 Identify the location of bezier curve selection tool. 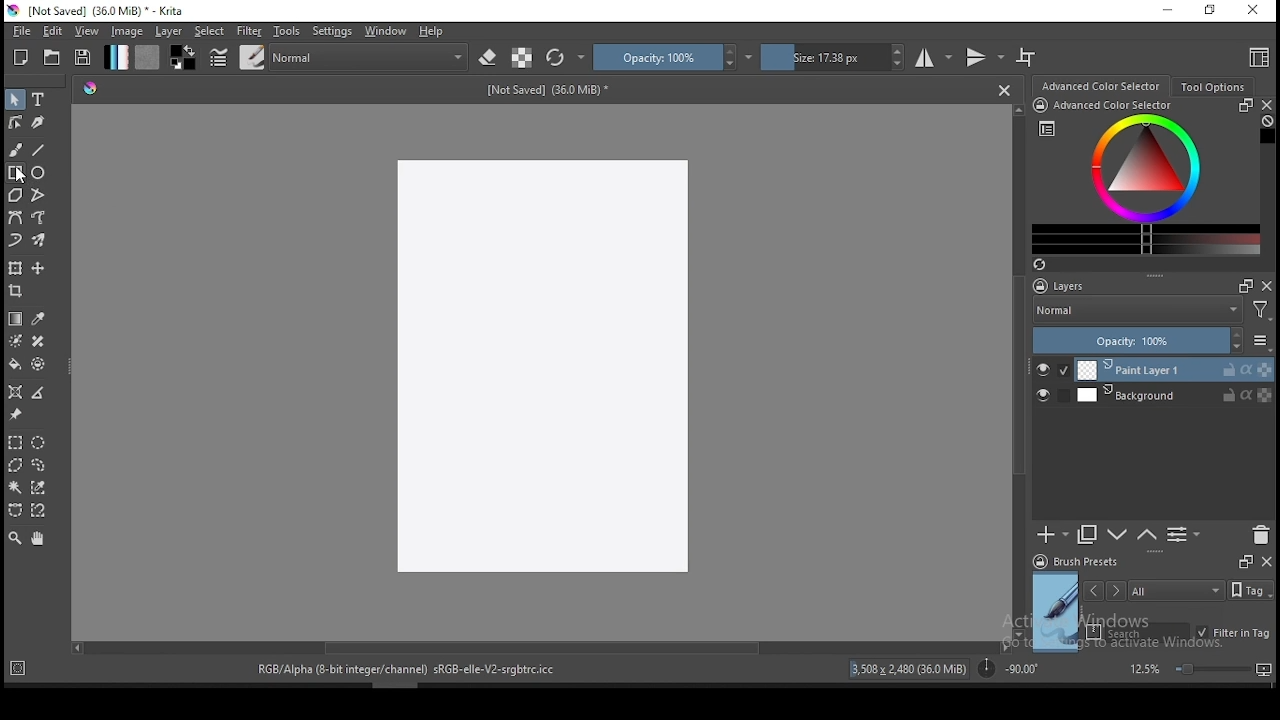
(15, 511).